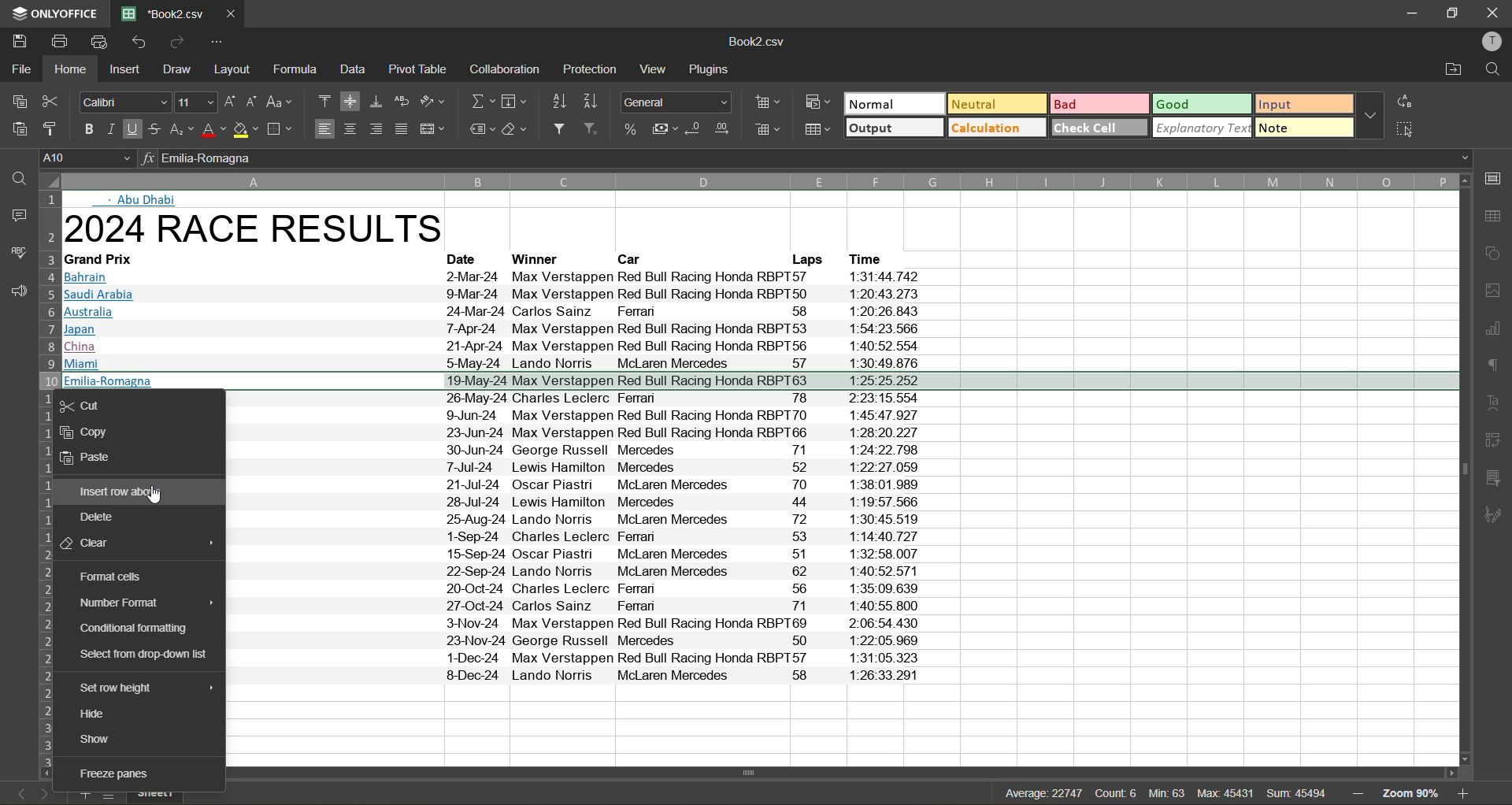 Image resolution: width=1512 pixels, height=805 pixels. What do you see at coordinates (594, 130) in the screenshot?
I see `clear filter` at bounding box center [594, 130].